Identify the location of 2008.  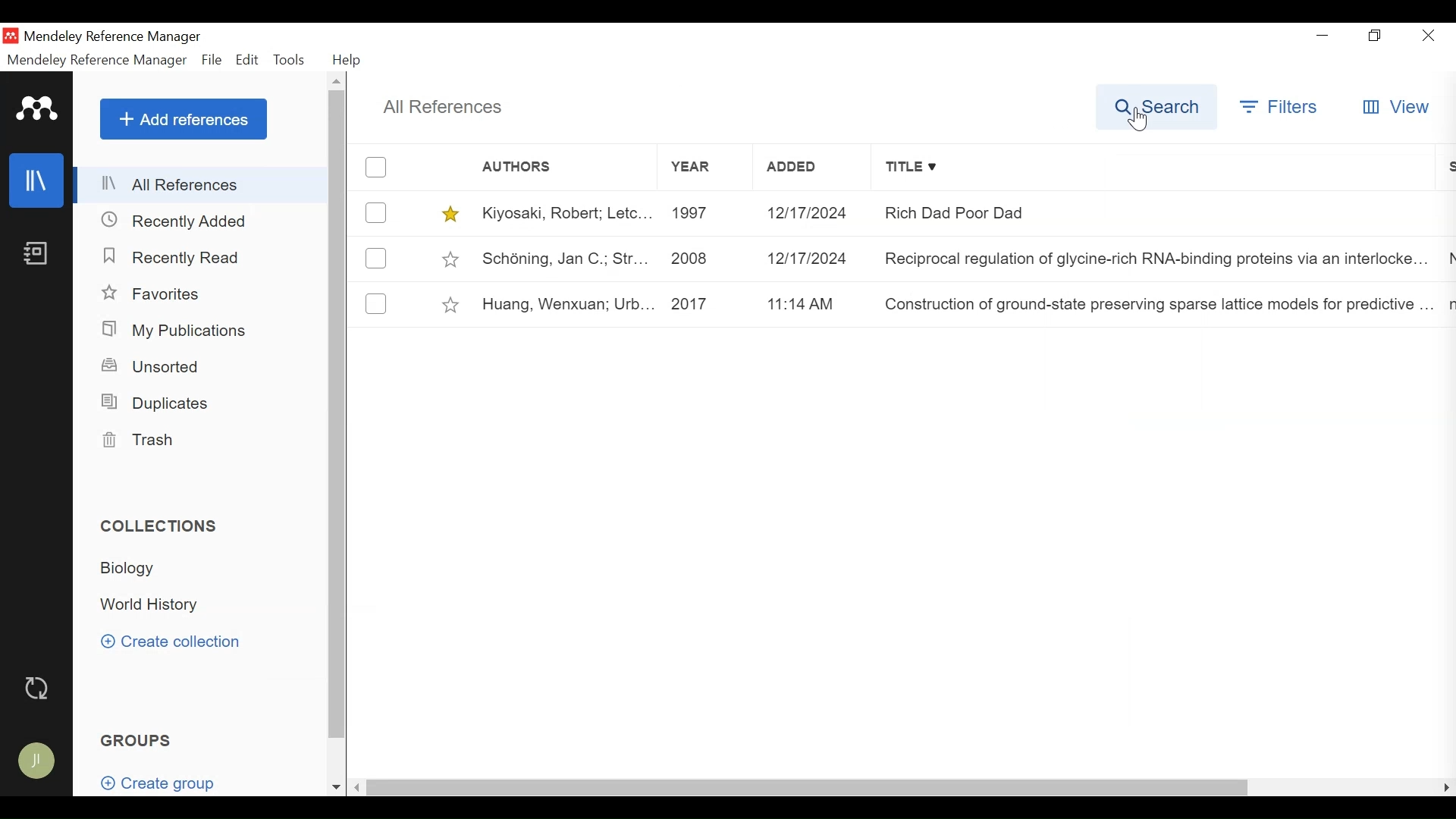
(700, 256).